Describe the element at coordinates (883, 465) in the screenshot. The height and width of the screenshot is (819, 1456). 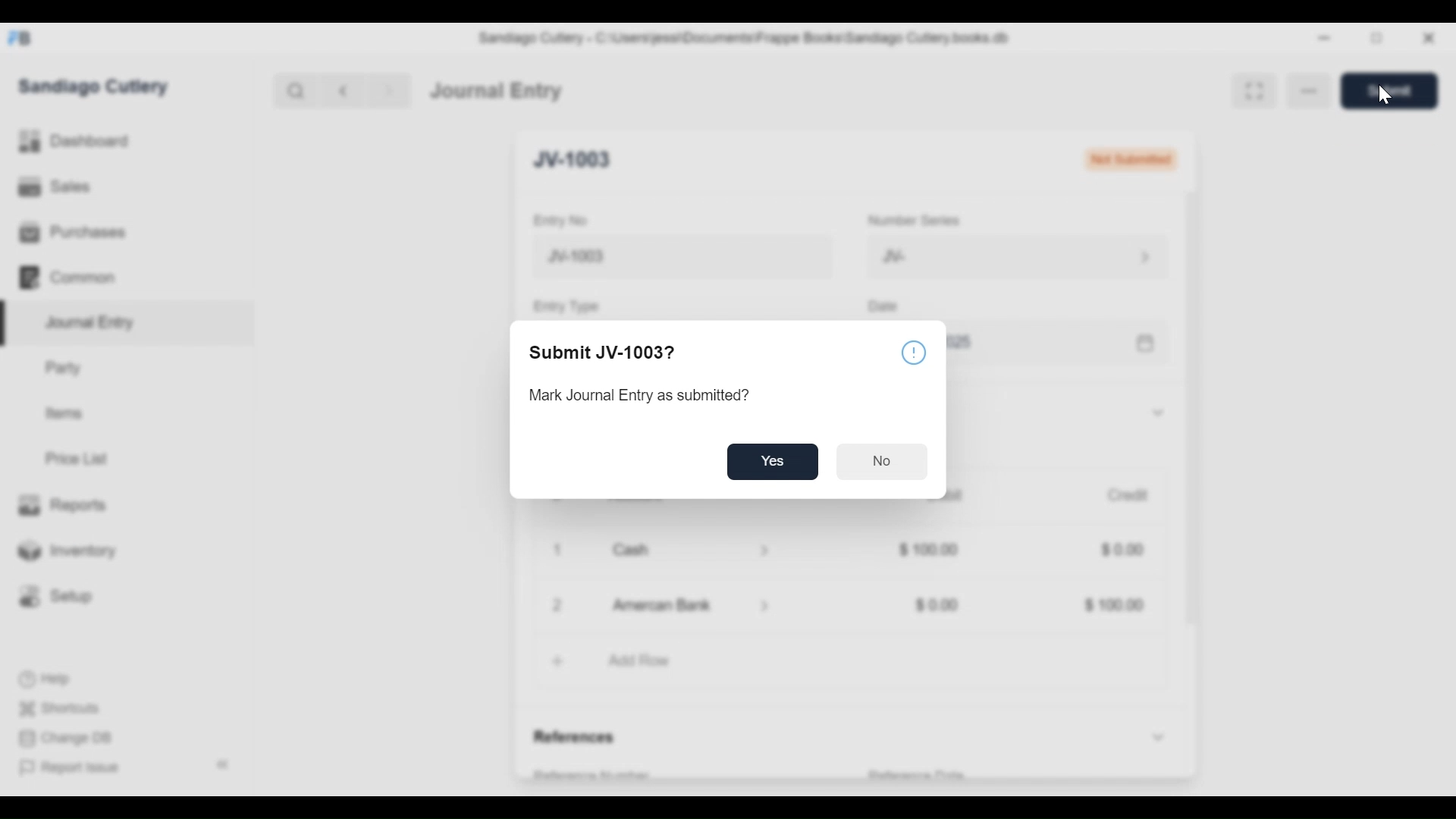
I see `No` at that location.